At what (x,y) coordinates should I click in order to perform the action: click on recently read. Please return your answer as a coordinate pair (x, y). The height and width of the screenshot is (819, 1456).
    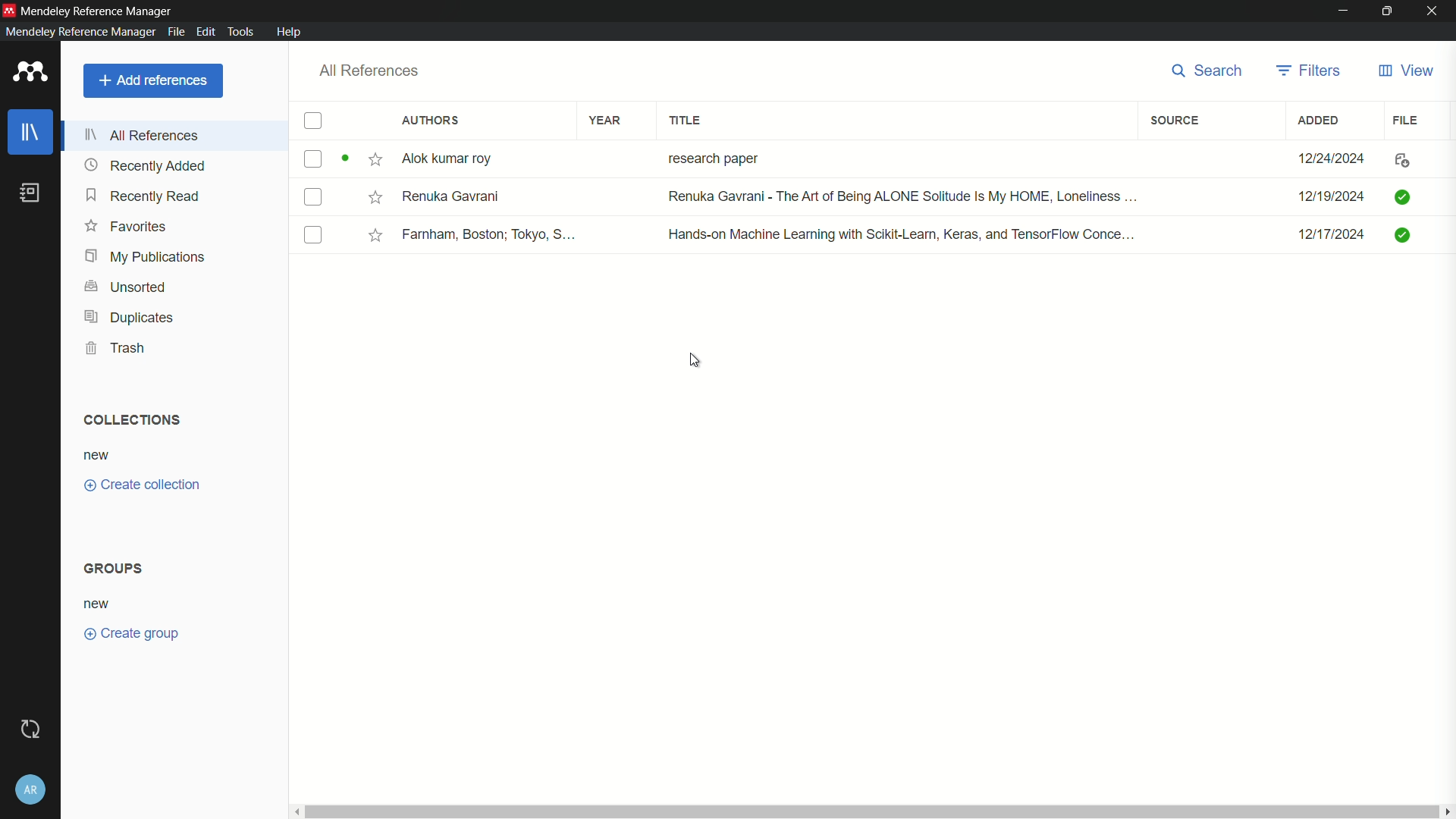
    Looking at the image, I should click on (146, 196).